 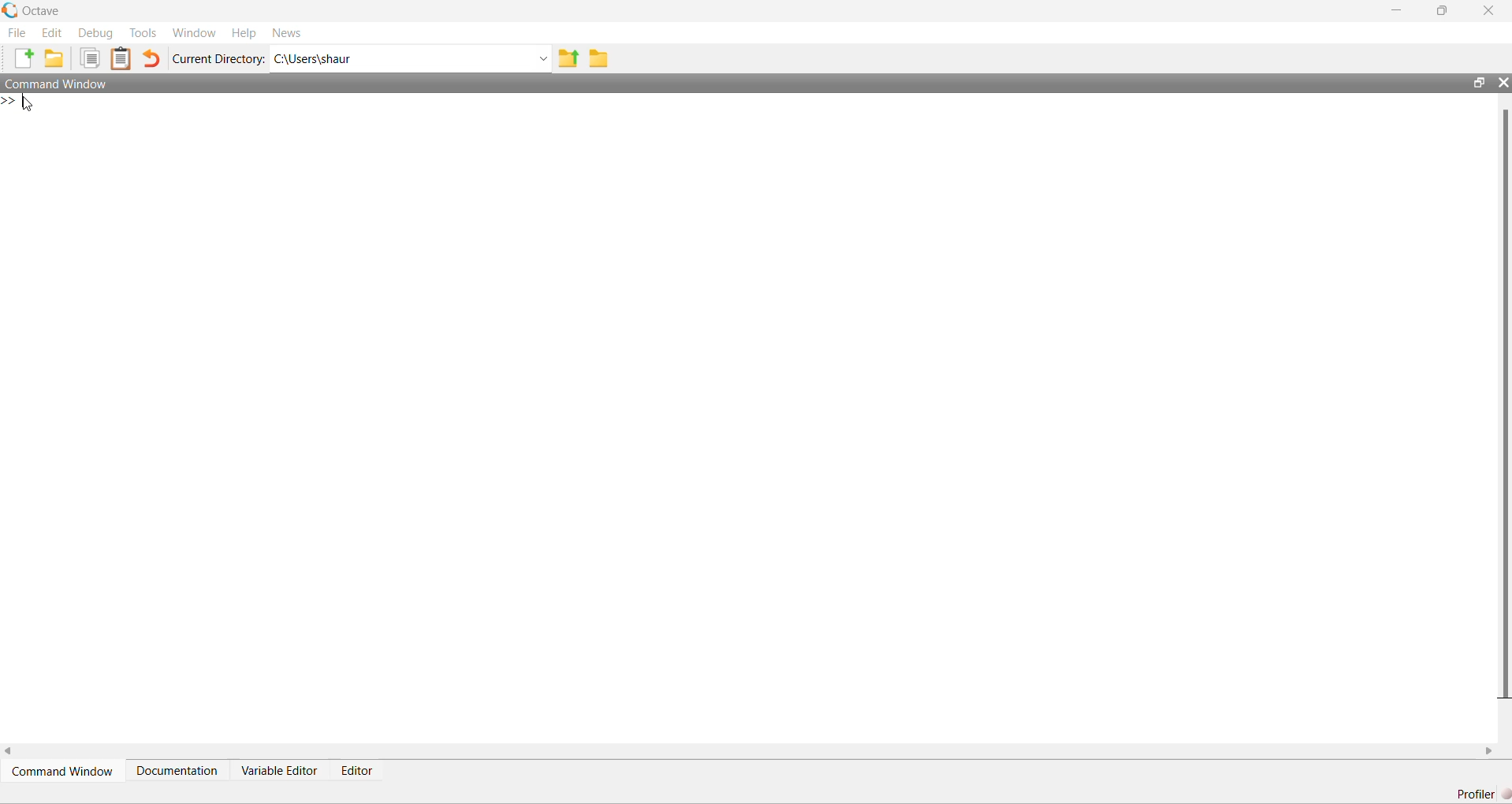 What do you see at coordinates (55, 84) in the screenshot?
I see `‘Command Window` at bounding box center [55, 84].